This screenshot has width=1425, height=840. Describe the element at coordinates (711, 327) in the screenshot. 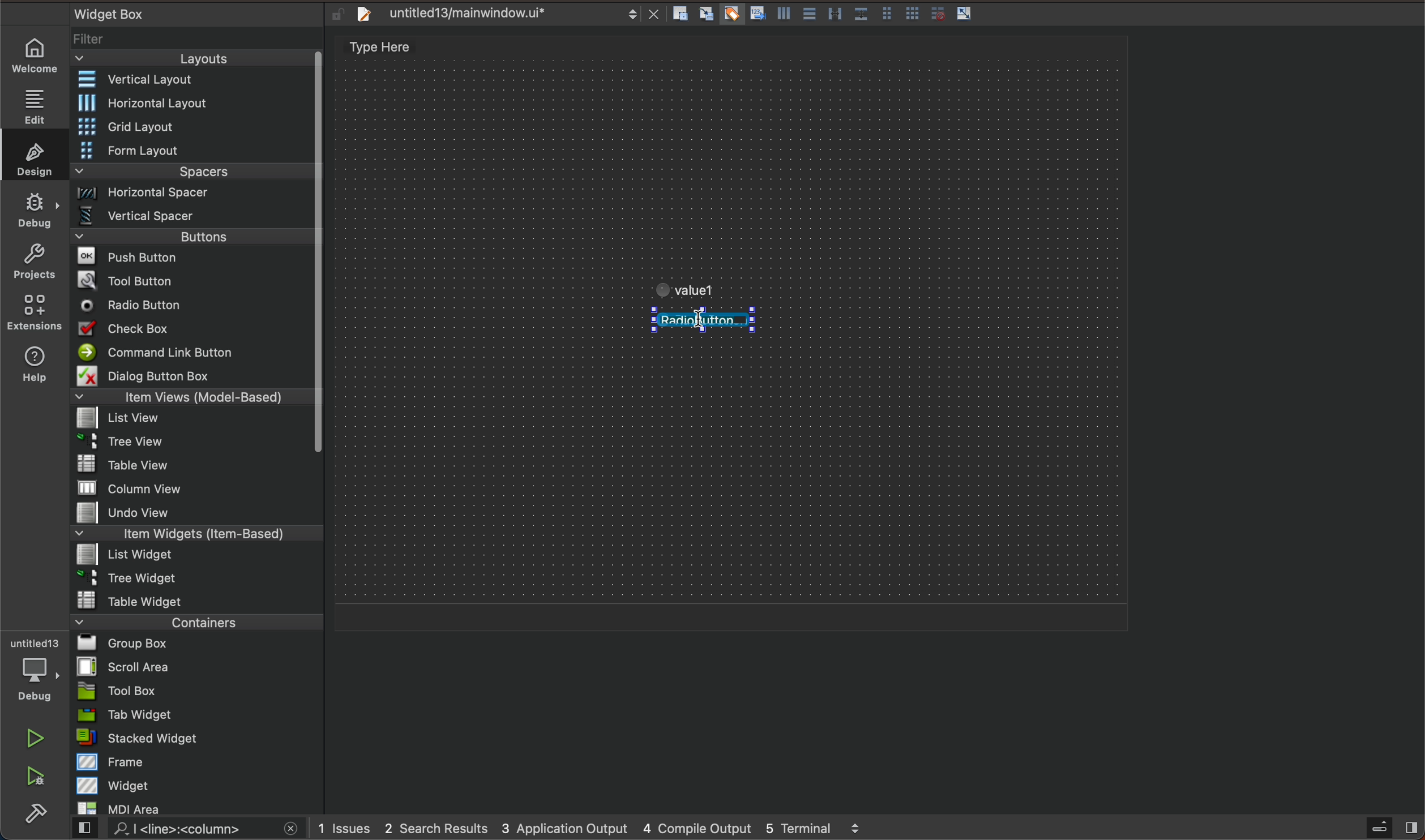

I see `start typing` at that location.